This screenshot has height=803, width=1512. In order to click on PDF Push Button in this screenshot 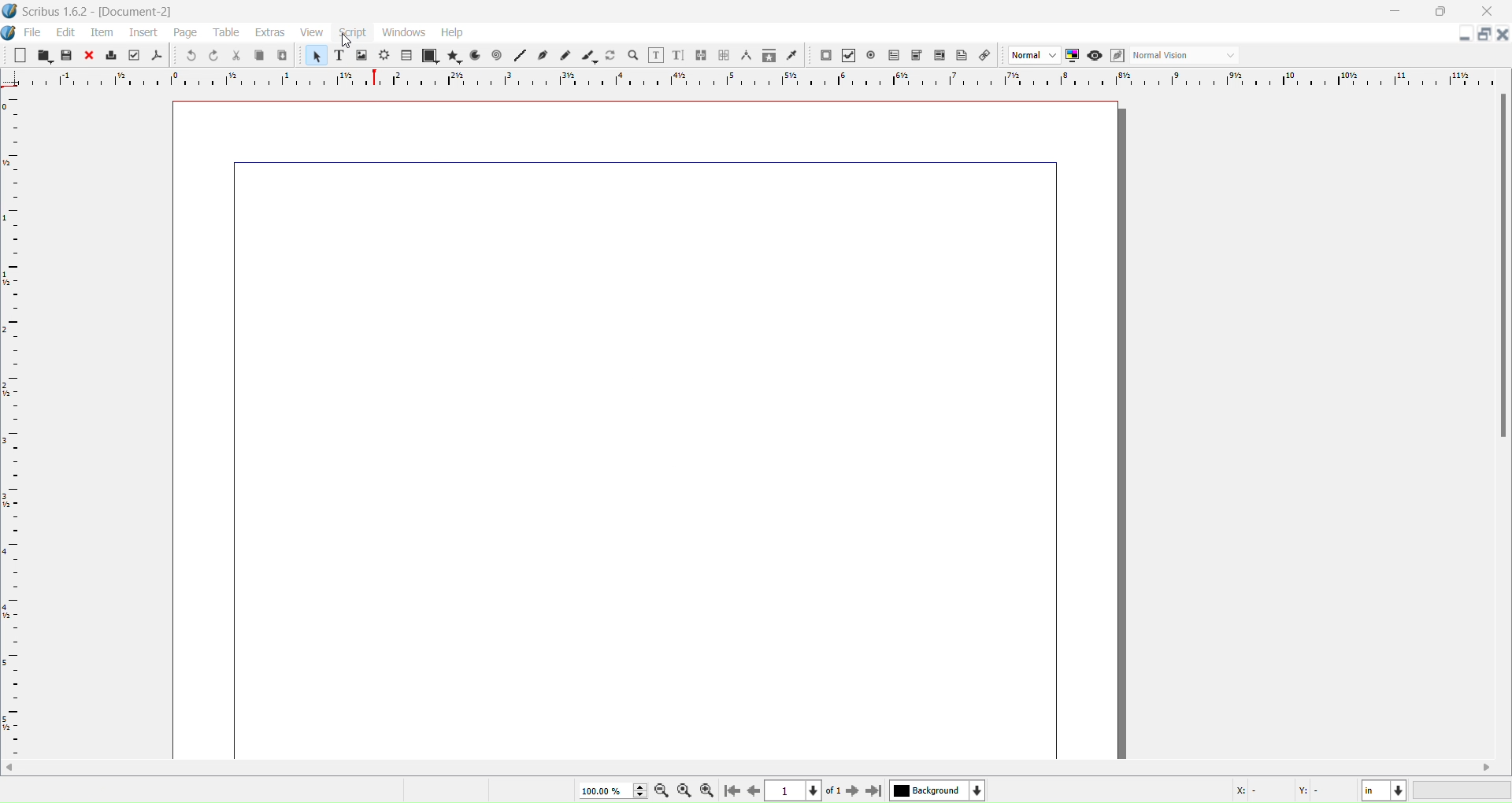, I will do `click(826, 56)`.